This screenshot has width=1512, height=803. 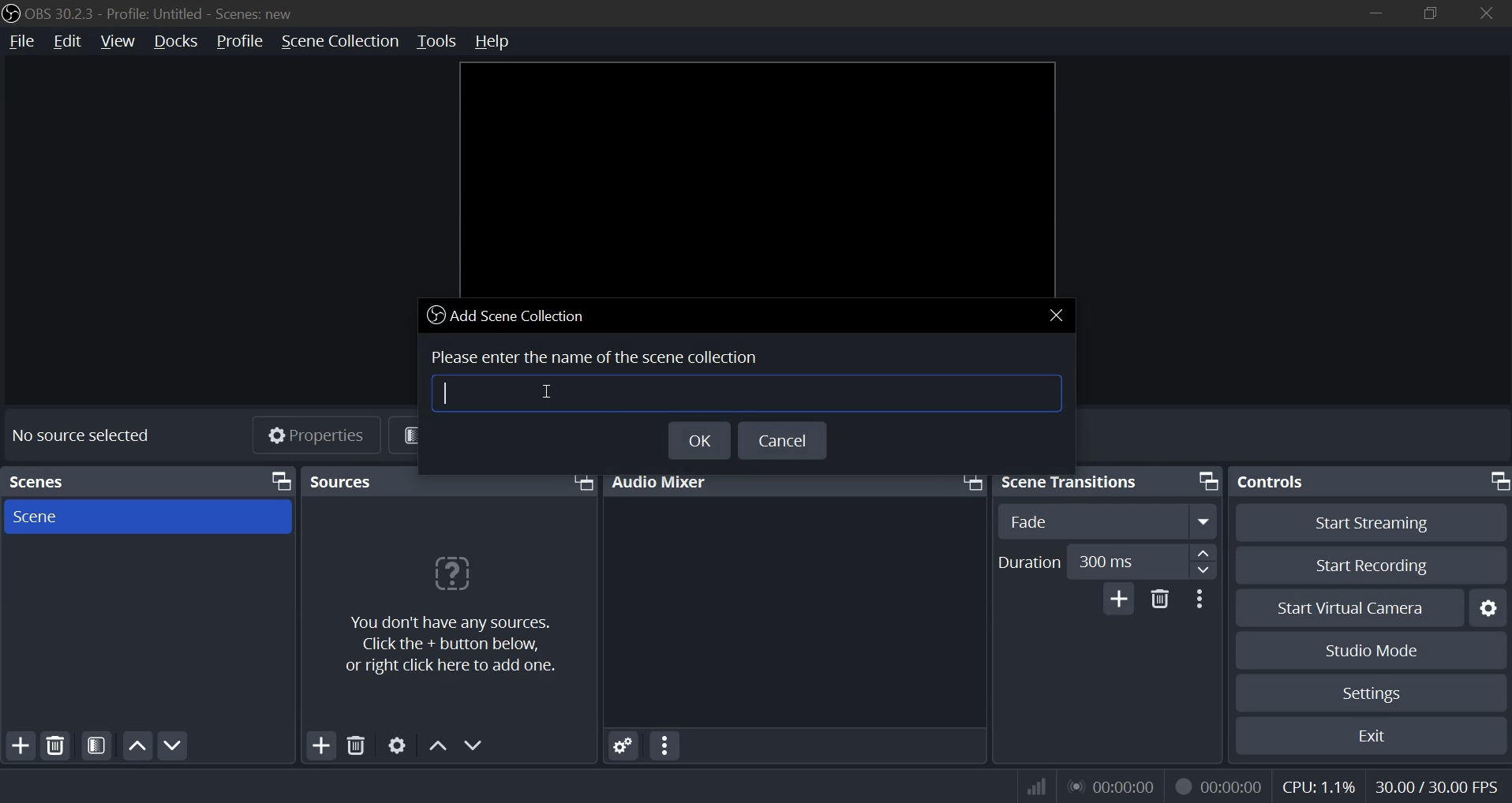 I want to click on record streamed, so click(x=1218, y=785).